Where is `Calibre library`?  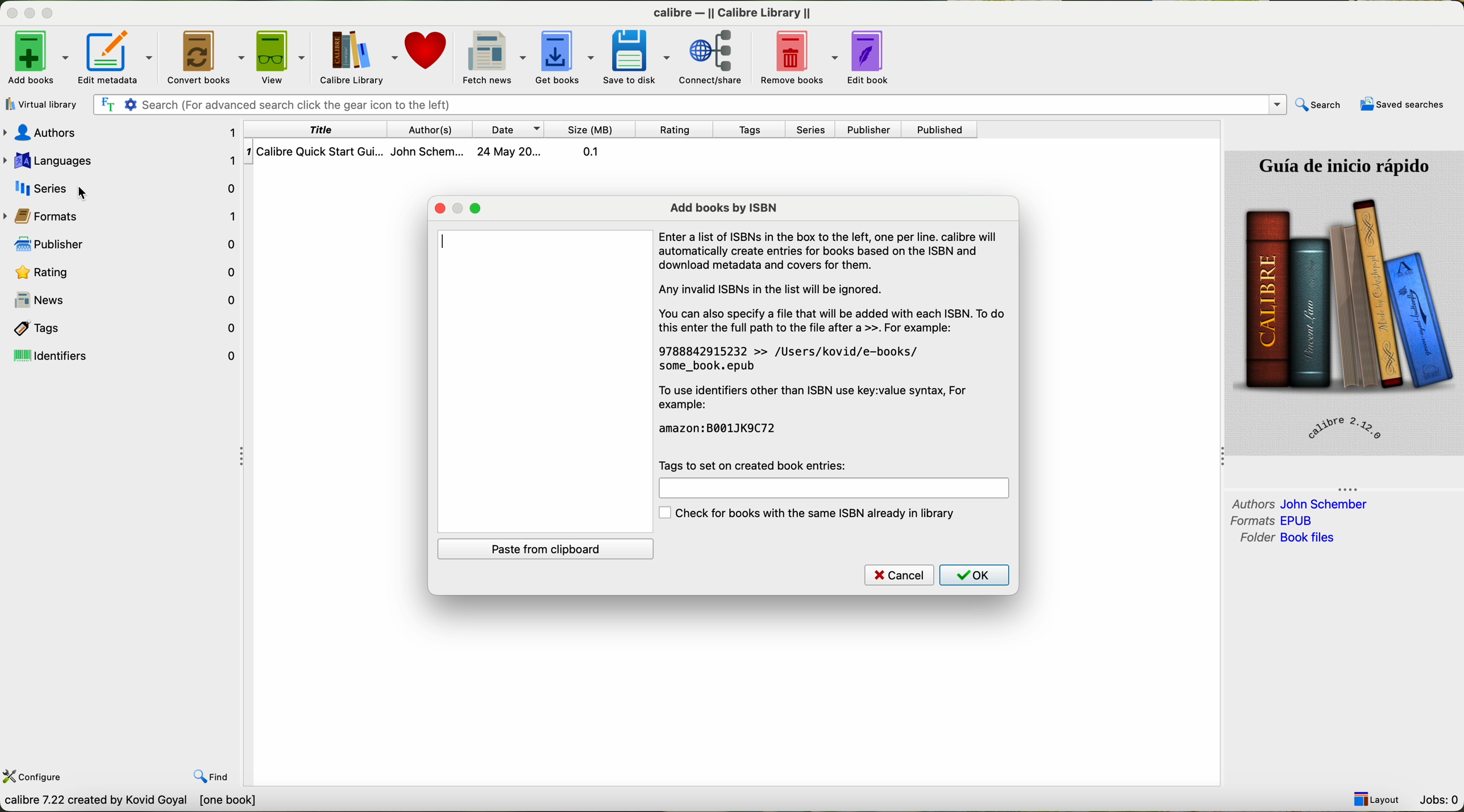
Calibre library is located at coordinates (360, 55).